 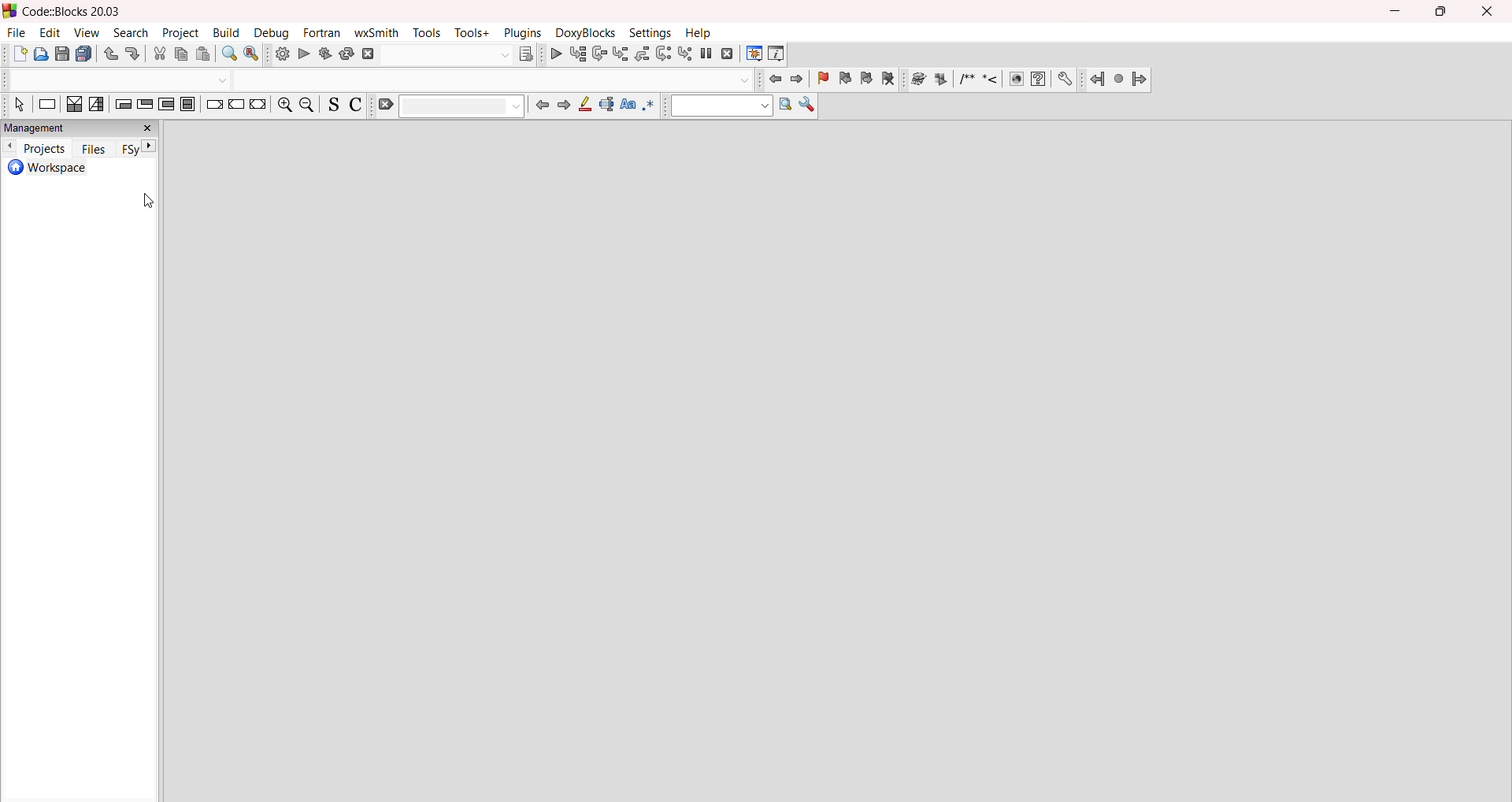 What do you see at coordinates (160, 54) in the screenshot?
I see `cut` at bounding box center [160, 54].